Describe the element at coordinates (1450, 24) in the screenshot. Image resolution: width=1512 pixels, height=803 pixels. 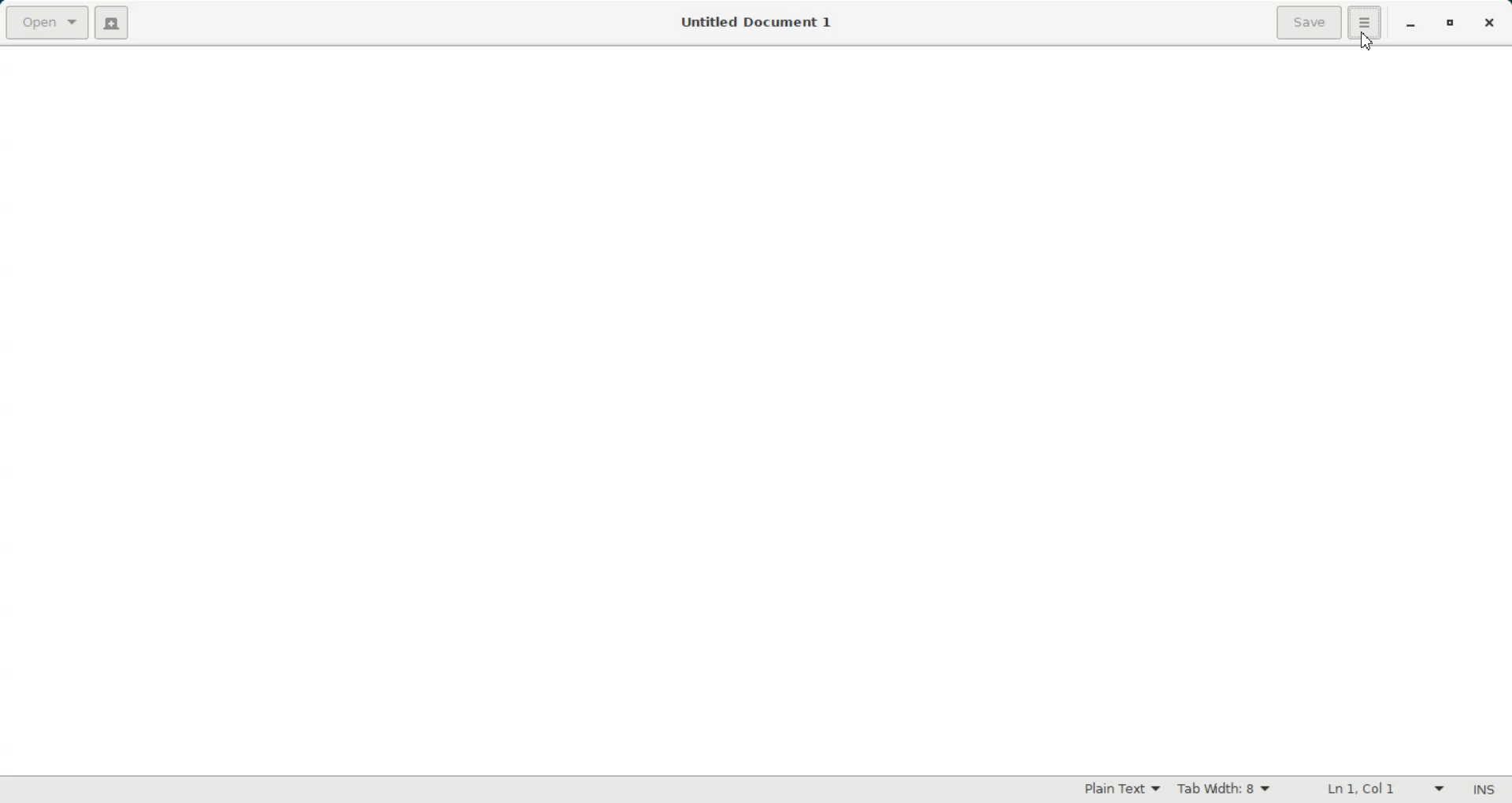
I see `Restore` at that location.